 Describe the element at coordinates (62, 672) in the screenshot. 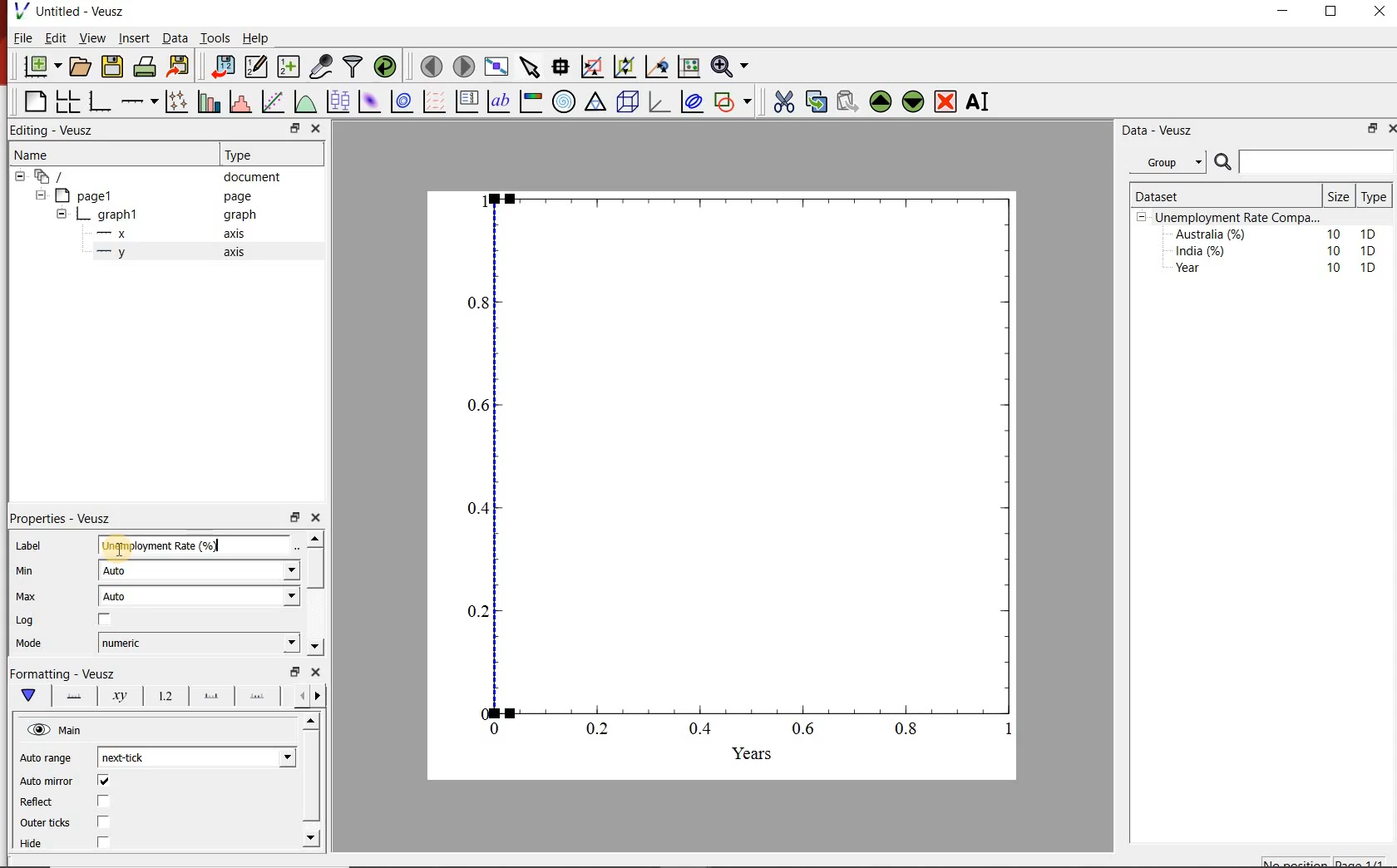

I see `Formatting - Veusz` at that location.